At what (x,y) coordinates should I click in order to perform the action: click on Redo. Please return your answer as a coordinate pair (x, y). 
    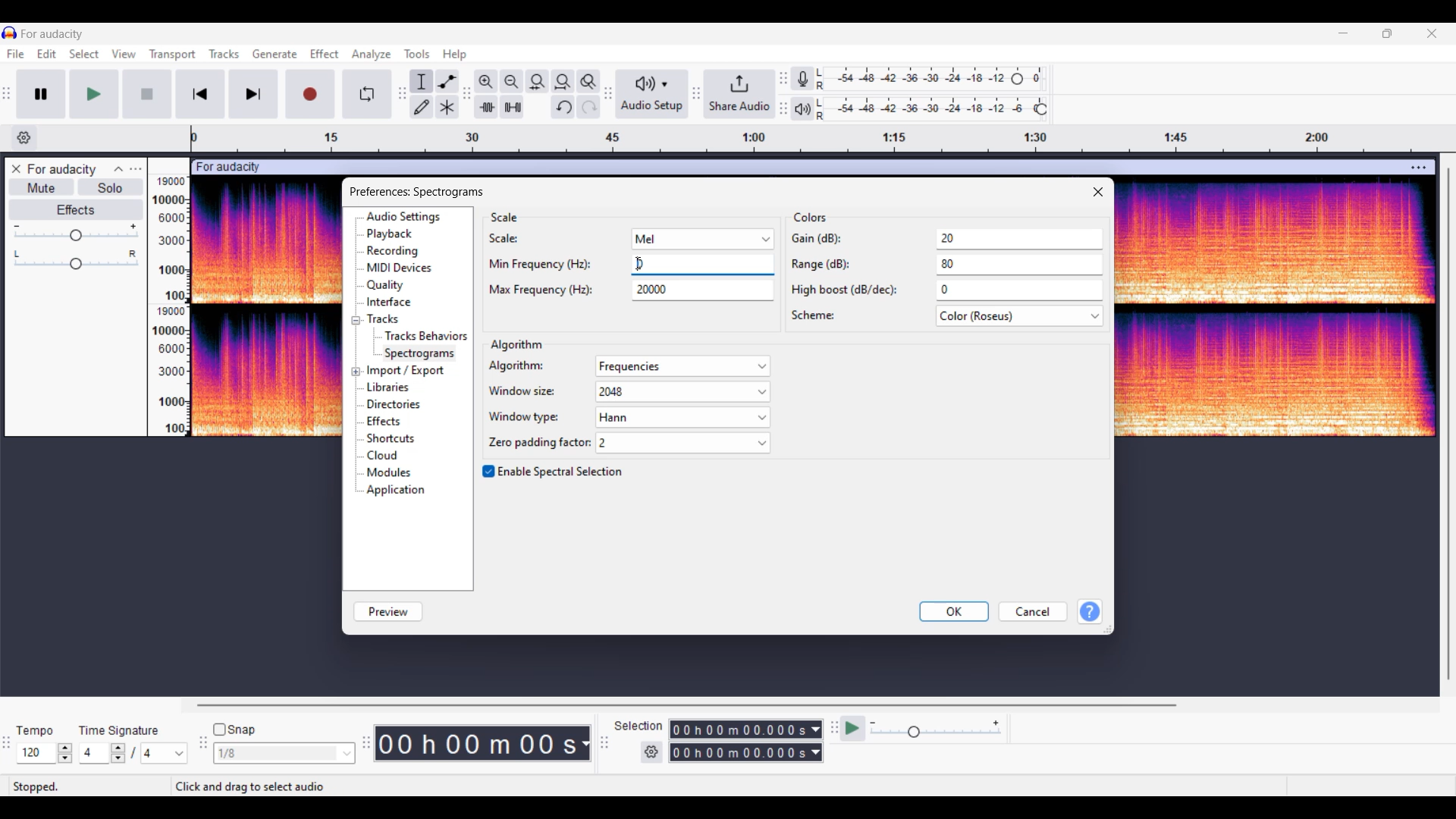
    Looking at the image, I should click on (588, 107).